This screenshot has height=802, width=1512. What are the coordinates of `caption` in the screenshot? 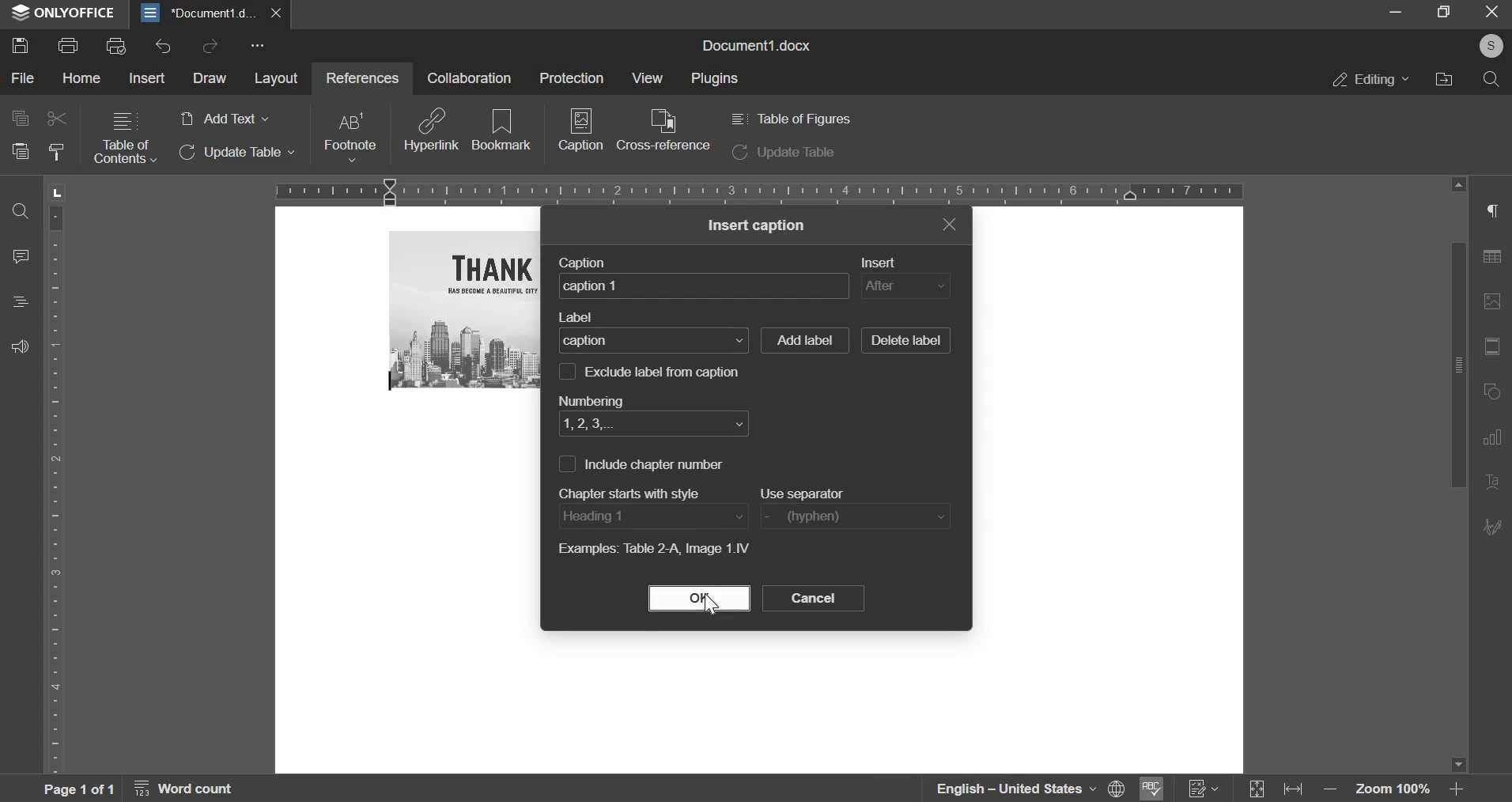 It's located at (588, 262).